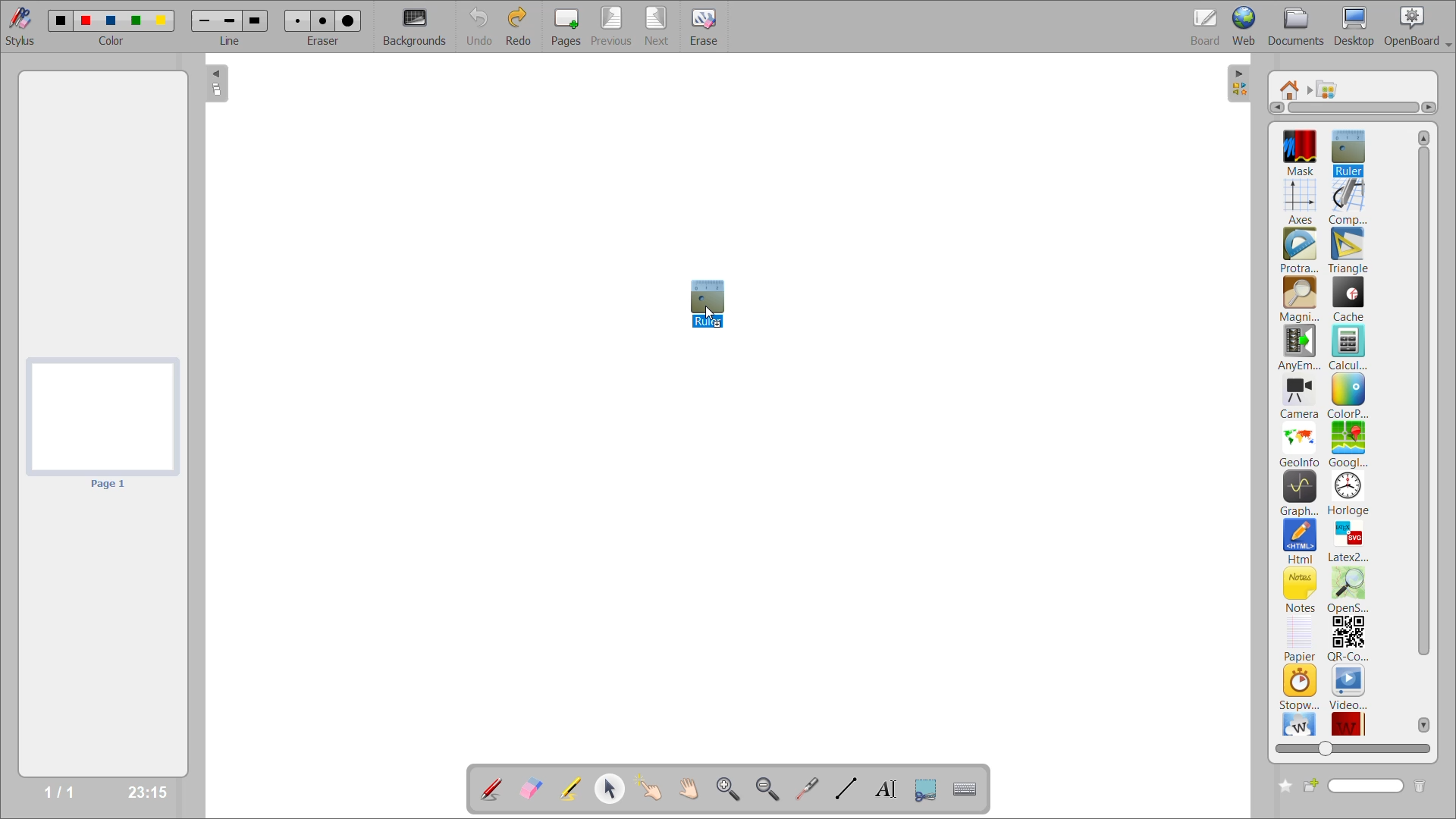 The height and width of the screenshot is (819, 1456). Describe the element at coordinates (1349, 686) in the screenshot. I see `video` at that location.